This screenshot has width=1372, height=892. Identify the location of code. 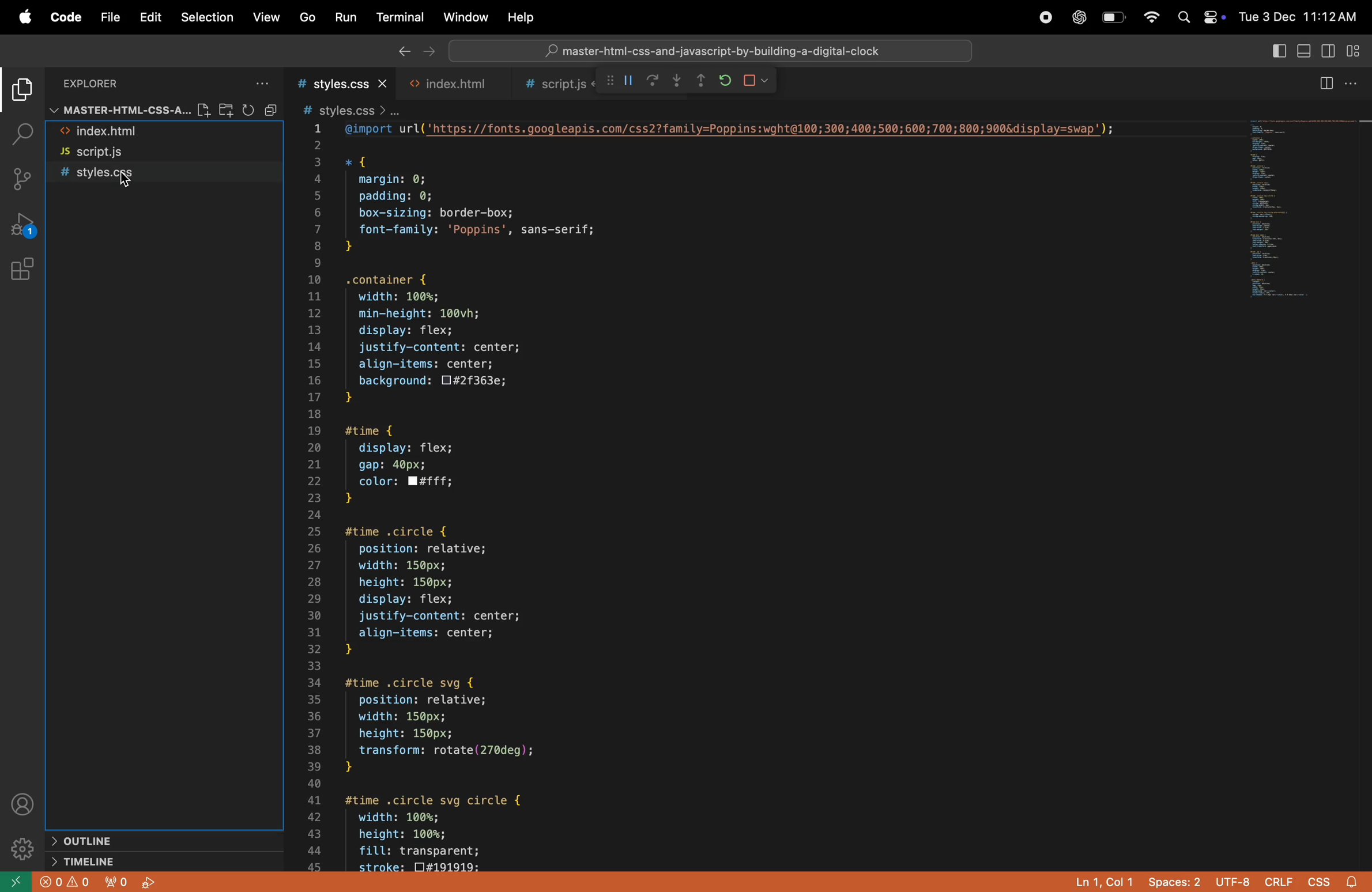
(64, 16).